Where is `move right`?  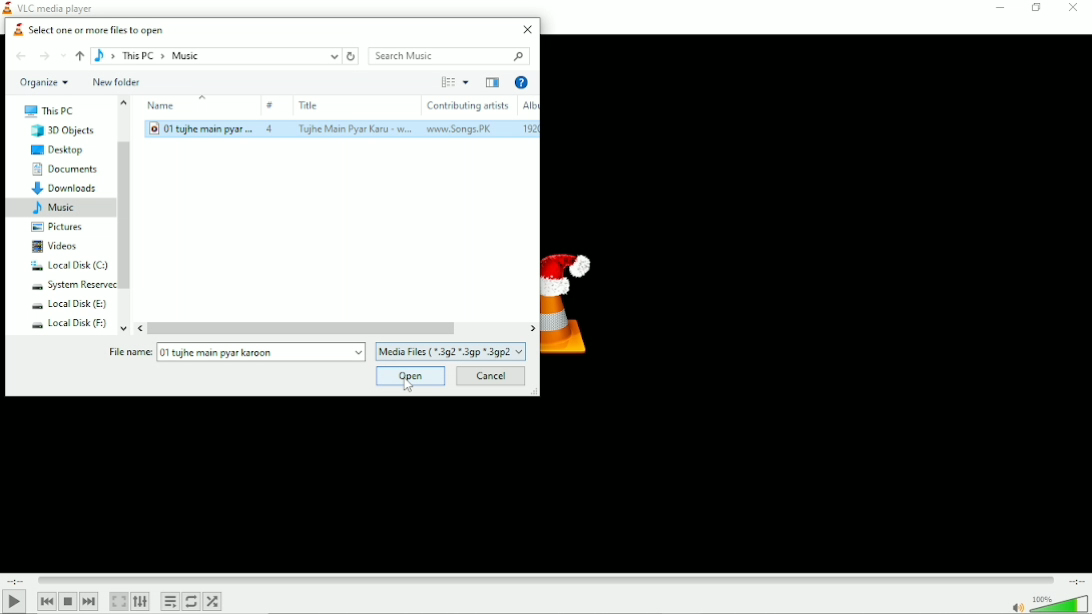 move right is located at coordinates (530, 325).